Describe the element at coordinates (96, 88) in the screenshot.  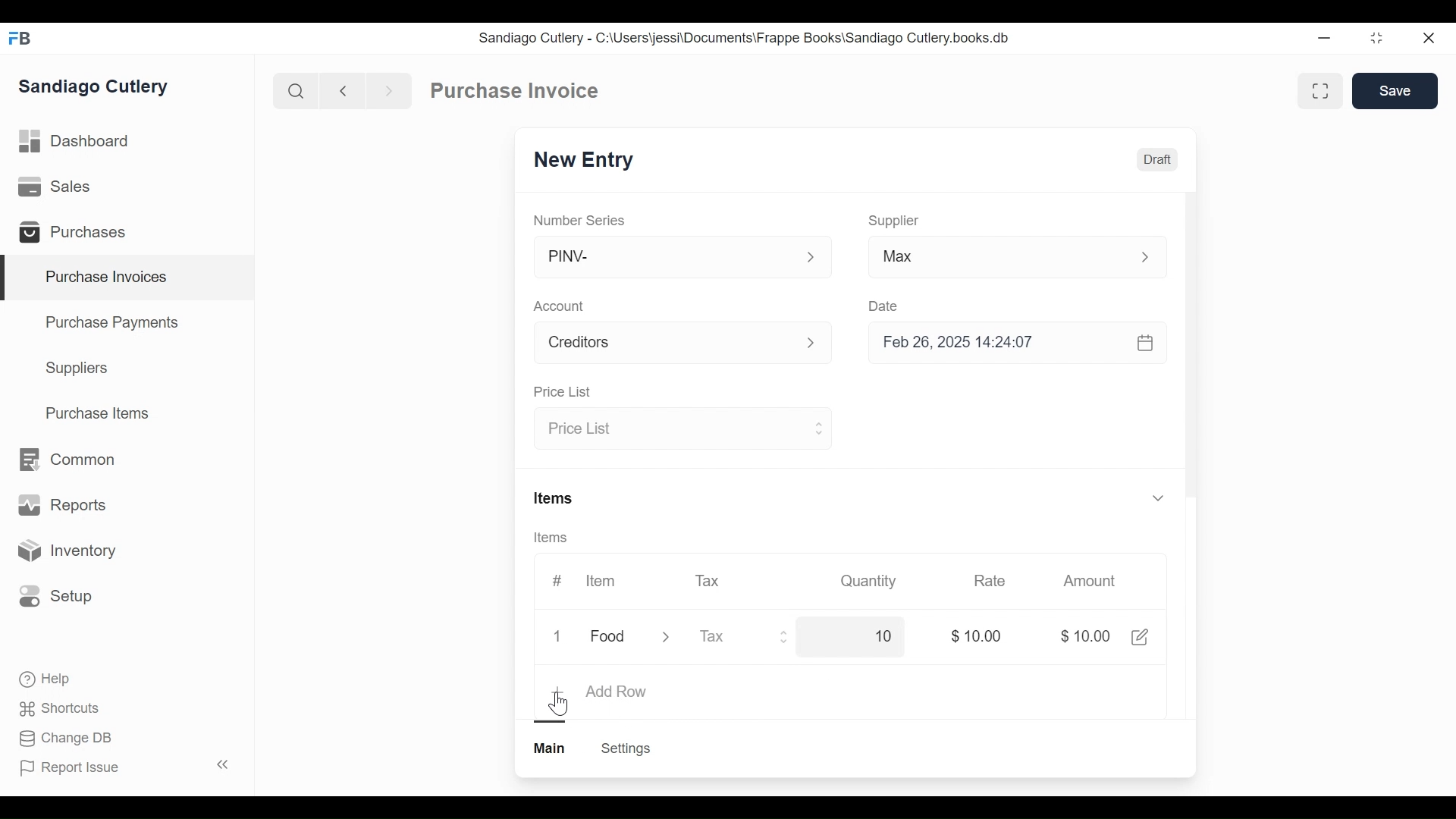
I see `Sandiago Cutlery` at that location.